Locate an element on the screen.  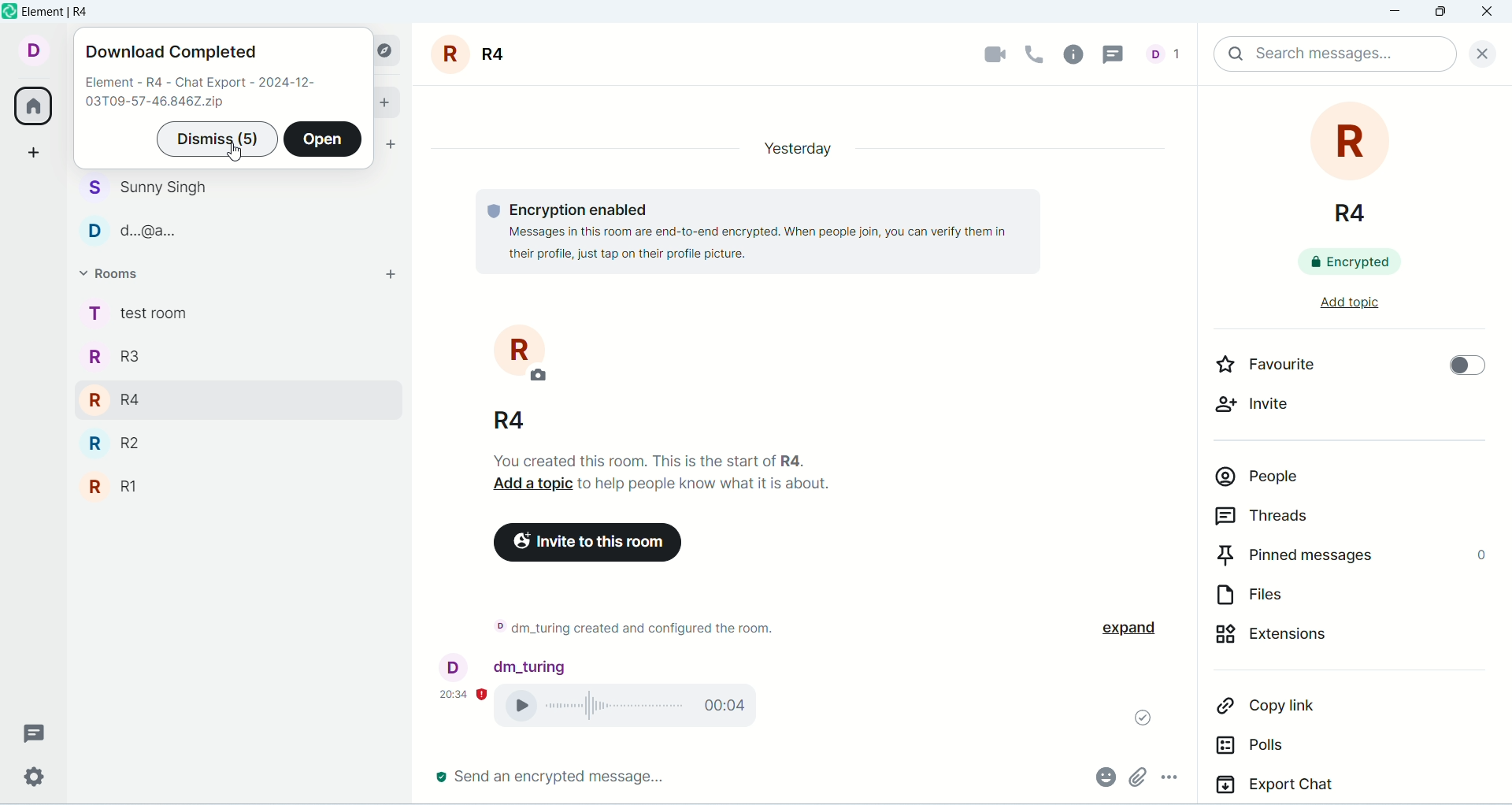
copy link is located at coordinates (1315, 711).